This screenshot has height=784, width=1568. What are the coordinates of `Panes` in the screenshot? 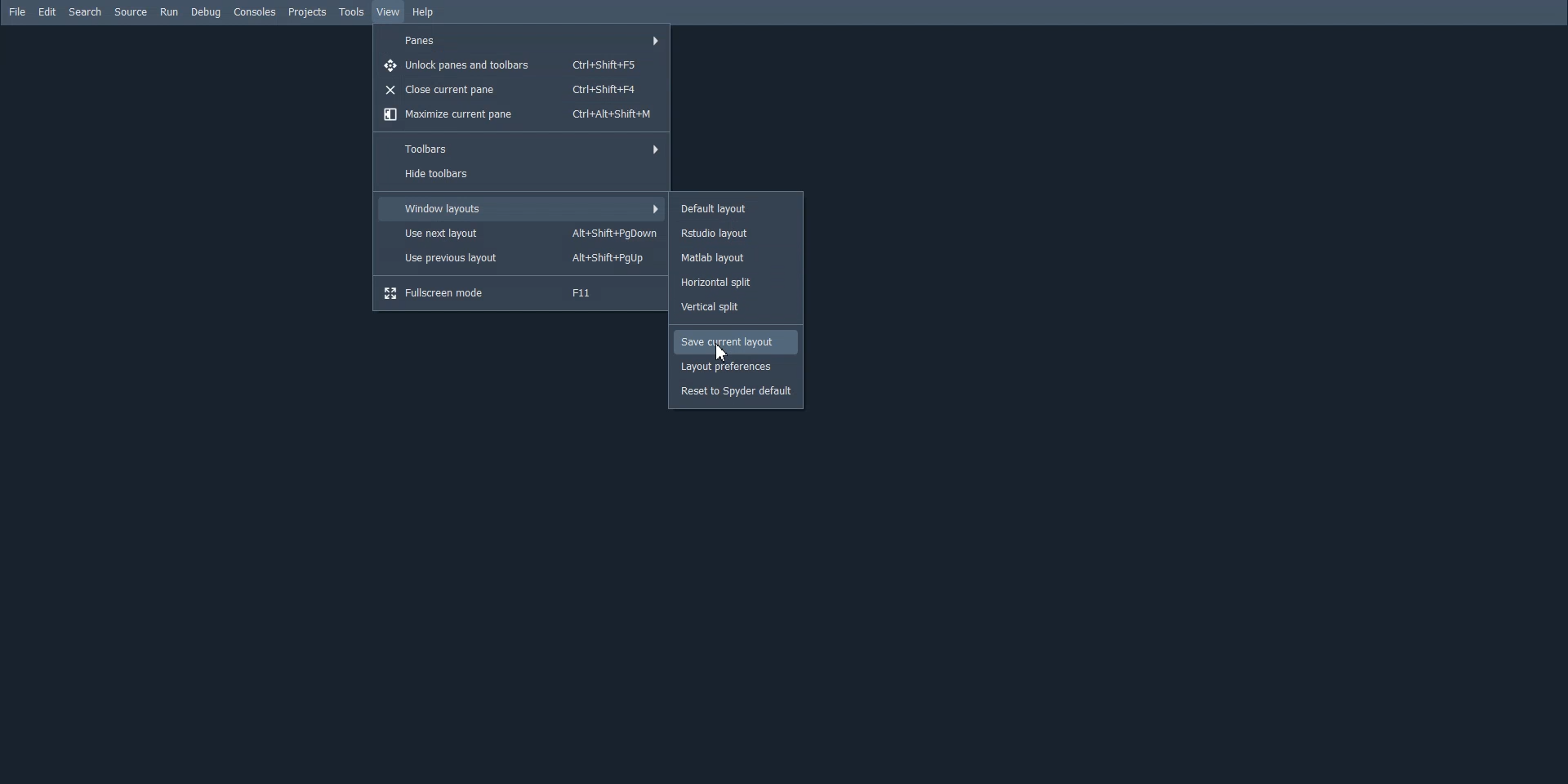 It's located at (522, 41).